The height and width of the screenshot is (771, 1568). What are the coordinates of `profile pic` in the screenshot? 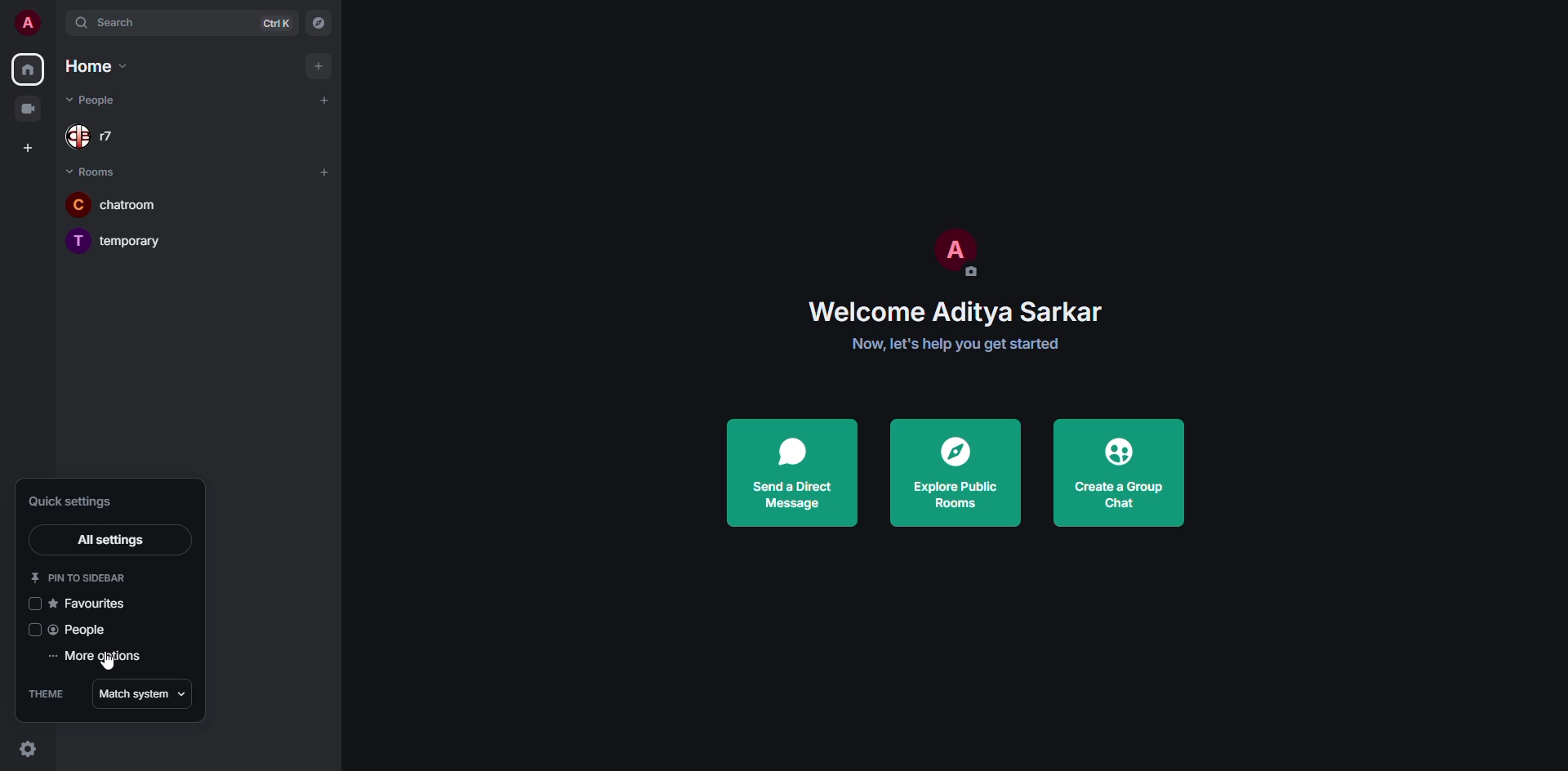 It's located at (954, 253).